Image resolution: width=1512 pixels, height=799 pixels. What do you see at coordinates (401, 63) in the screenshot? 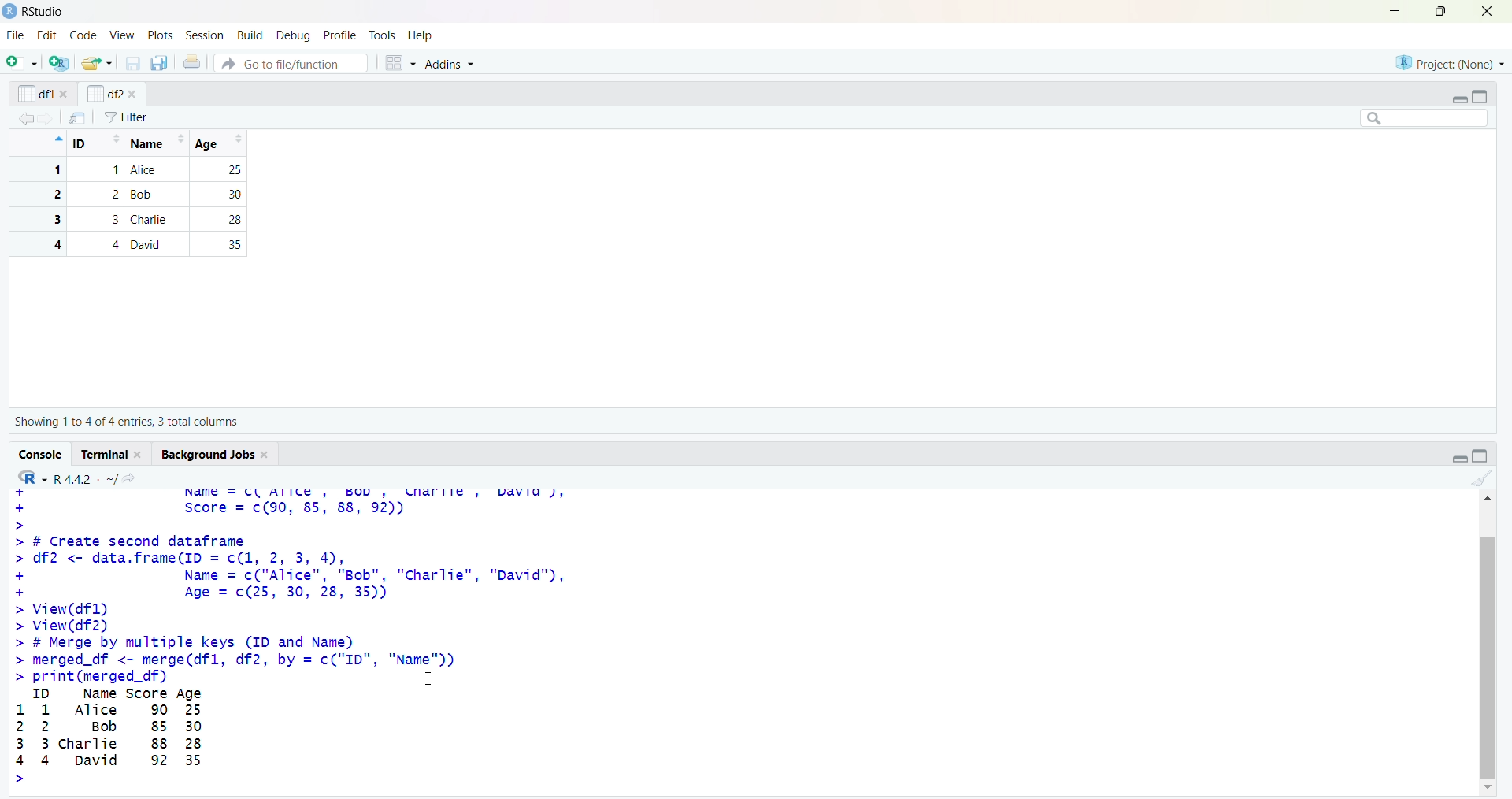
I see `grid` at bounding box center [401, 63].